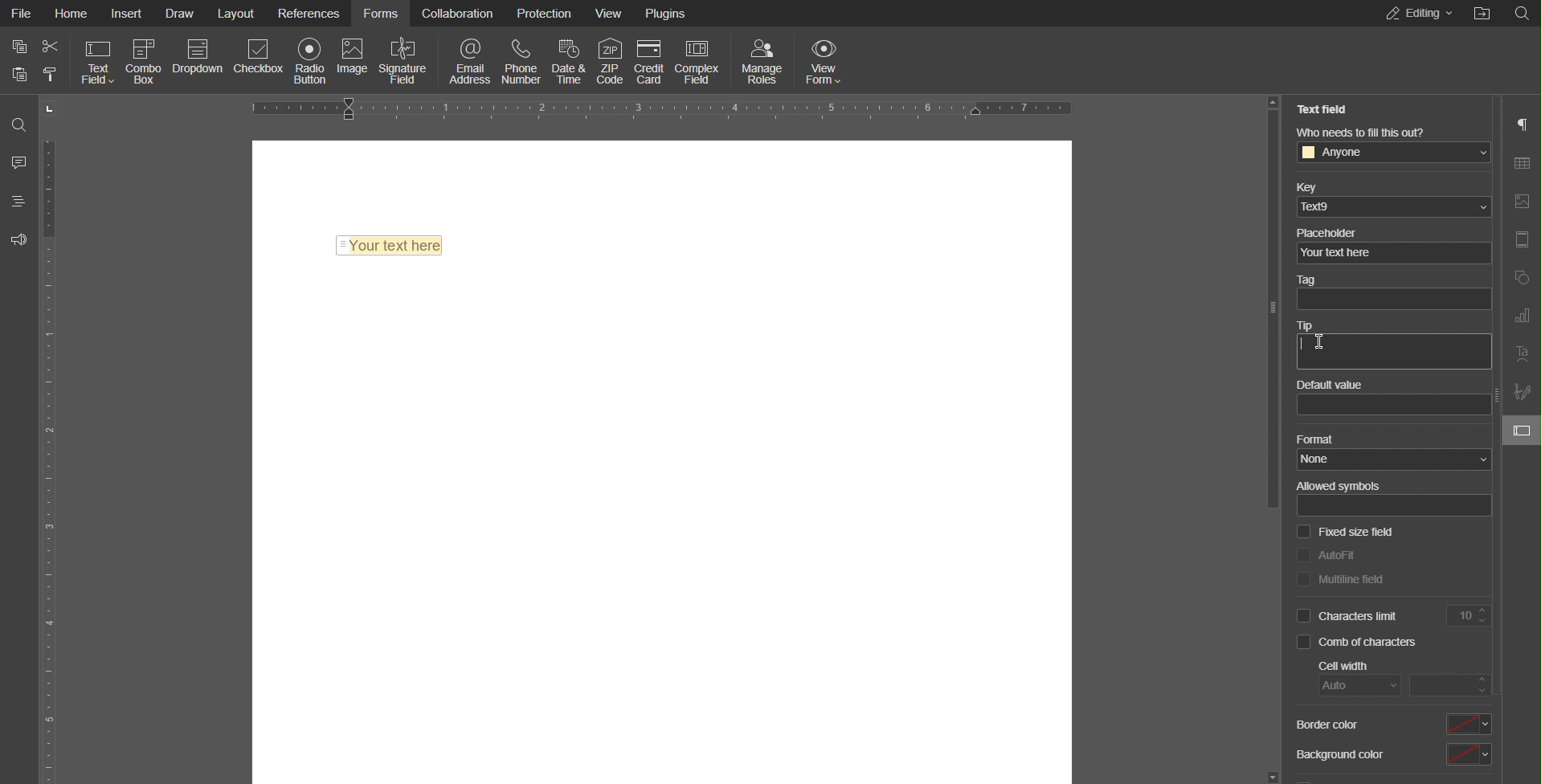  I want to click on Layout, so click(238, 13).